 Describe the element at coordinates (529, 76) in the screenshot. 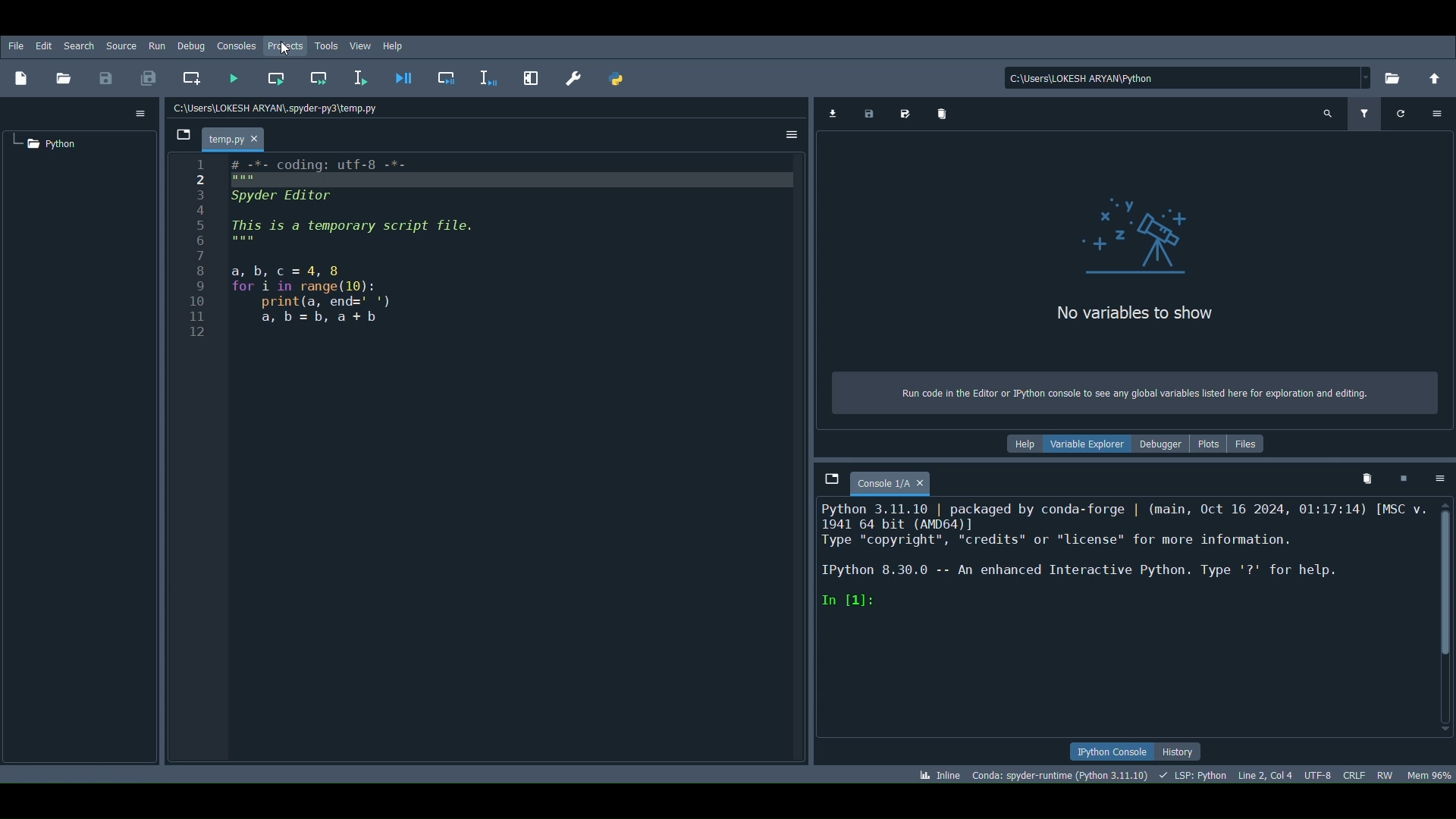

I see `Maximize current pane (Ctrl + Alt + Shift + M)` at that location.